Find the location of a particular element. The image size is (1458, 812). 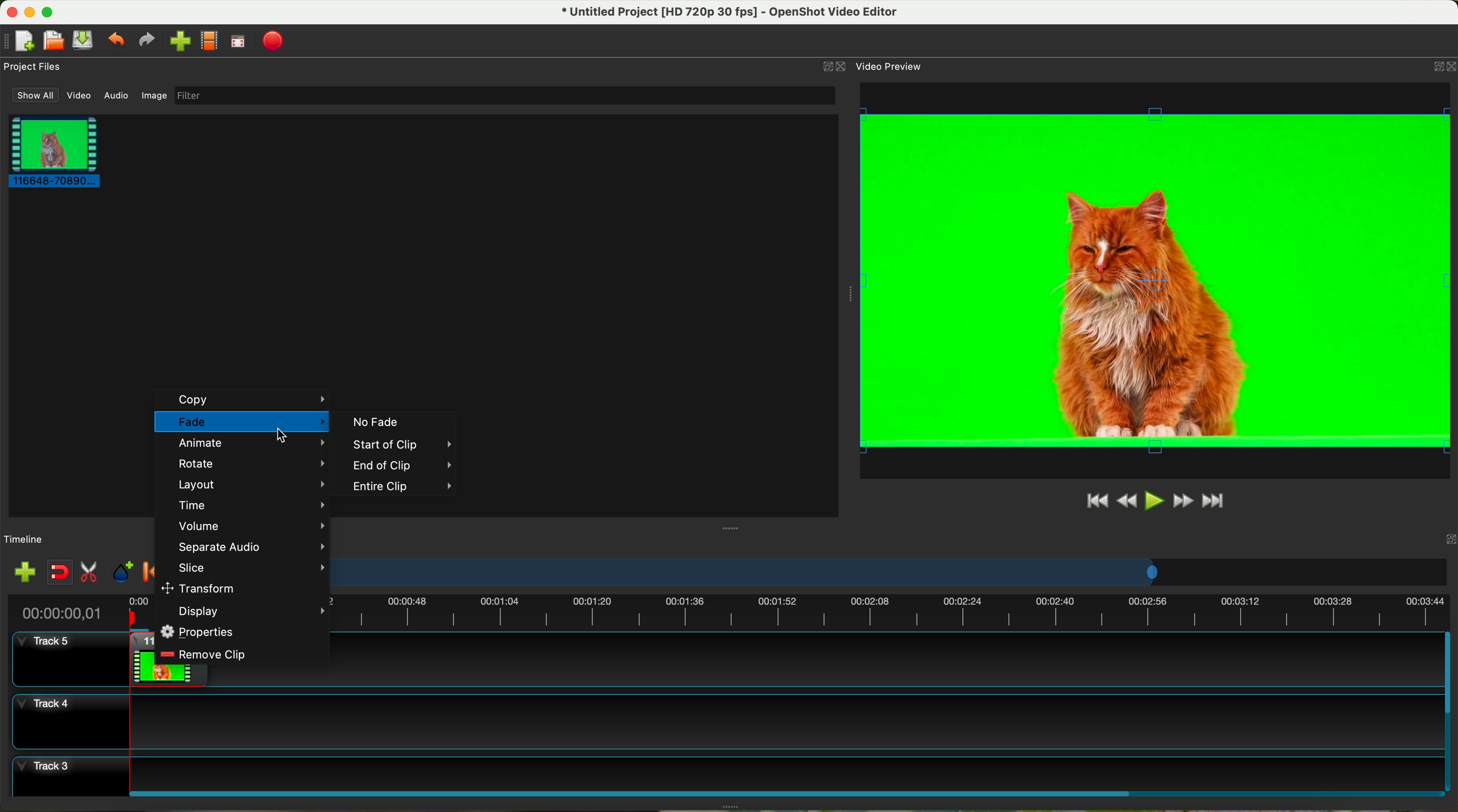

track 3 is located at coordinates (726, 771).